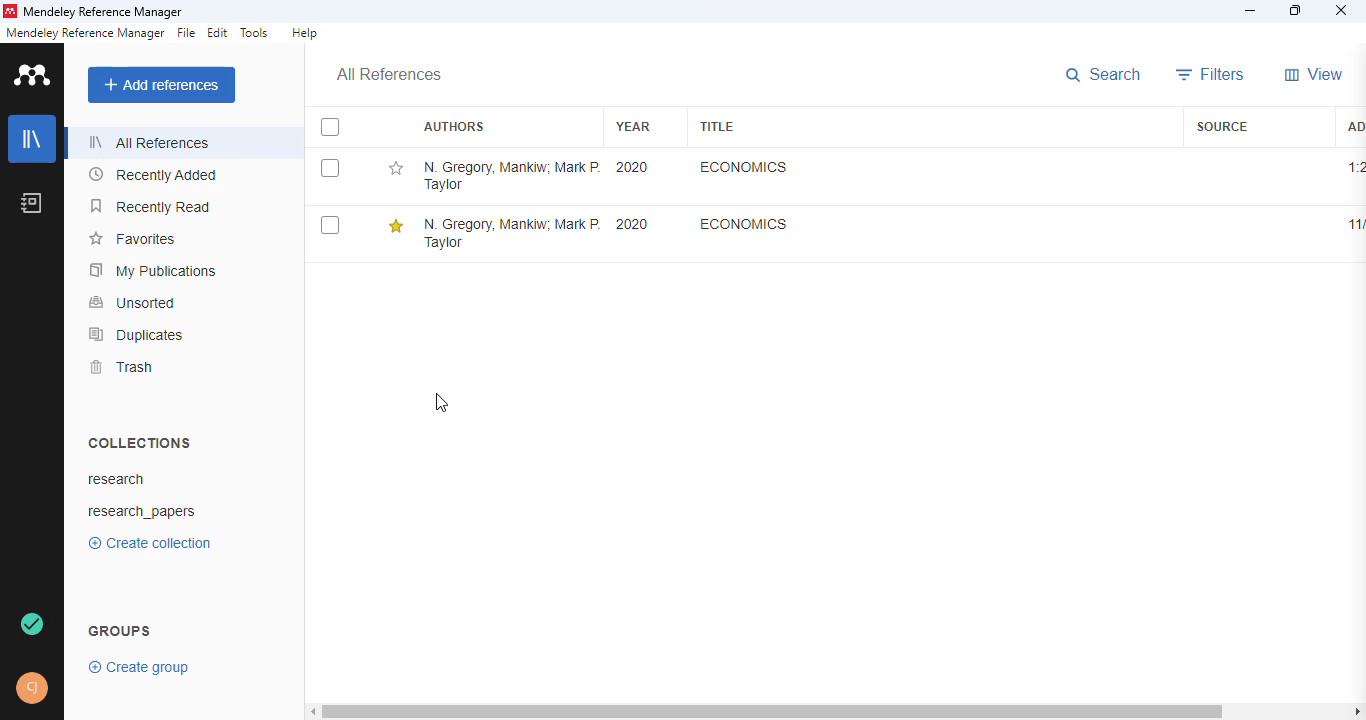  I want to click on trash, so click(125, 367).